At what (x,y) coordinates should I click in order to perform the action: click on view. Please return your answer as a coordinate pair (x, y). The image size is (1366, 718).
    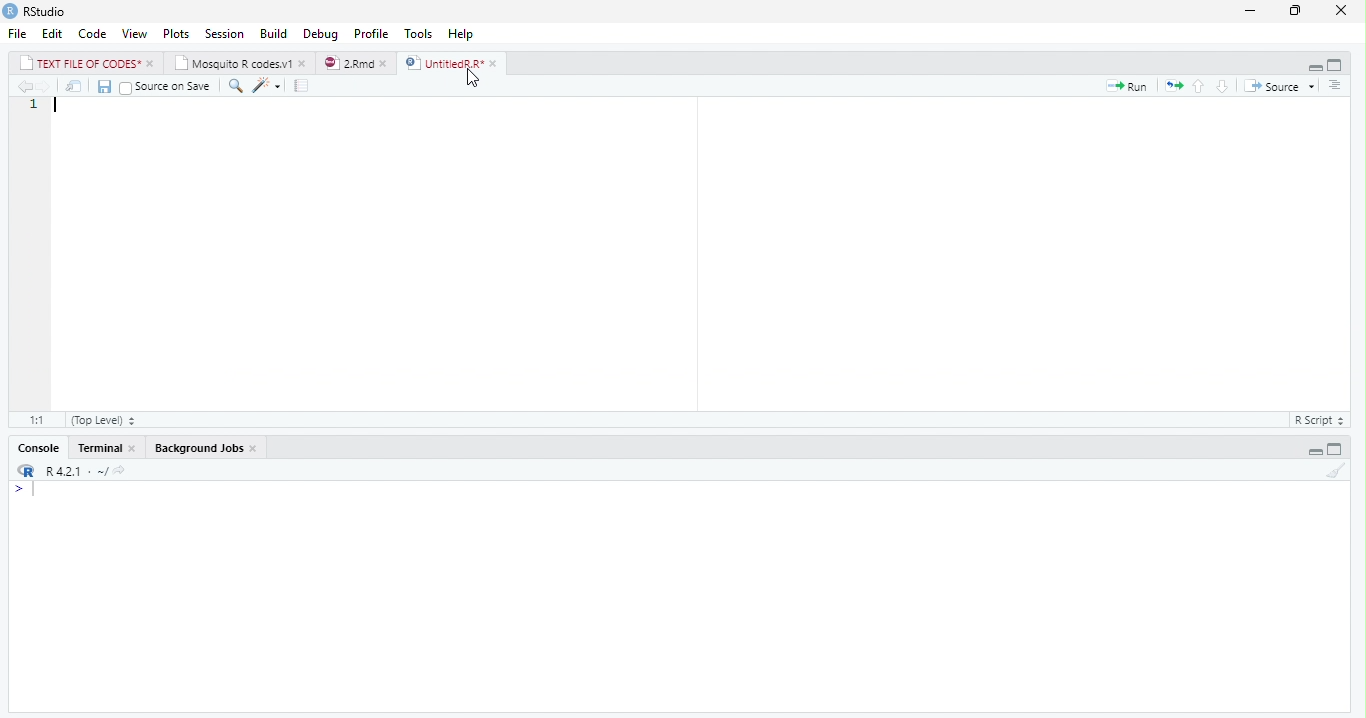
    Looking at the image, I should click on (135, 34).